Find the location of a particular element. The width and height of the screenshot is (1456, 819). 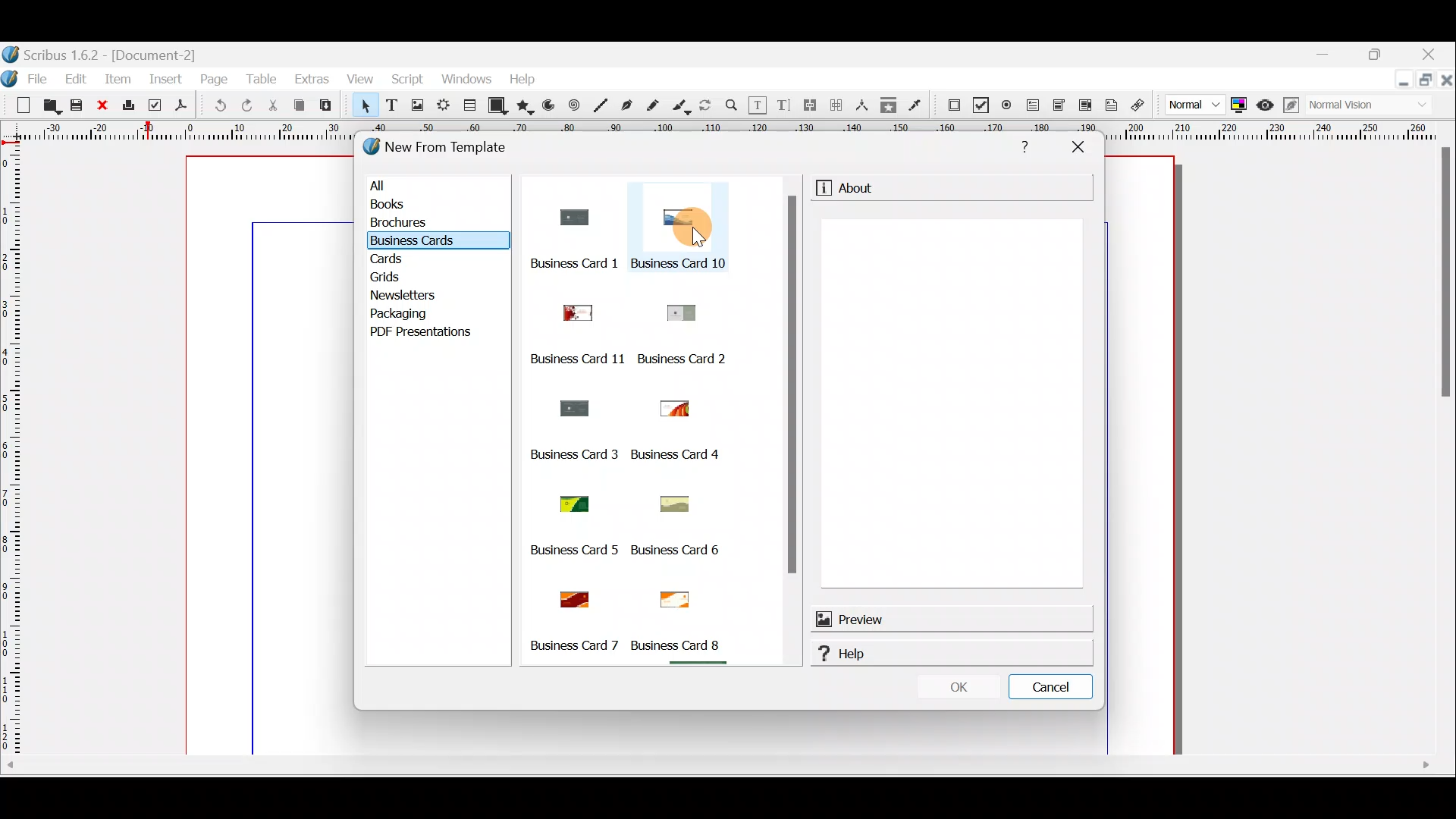

Item is located at coordinates (116, 80).